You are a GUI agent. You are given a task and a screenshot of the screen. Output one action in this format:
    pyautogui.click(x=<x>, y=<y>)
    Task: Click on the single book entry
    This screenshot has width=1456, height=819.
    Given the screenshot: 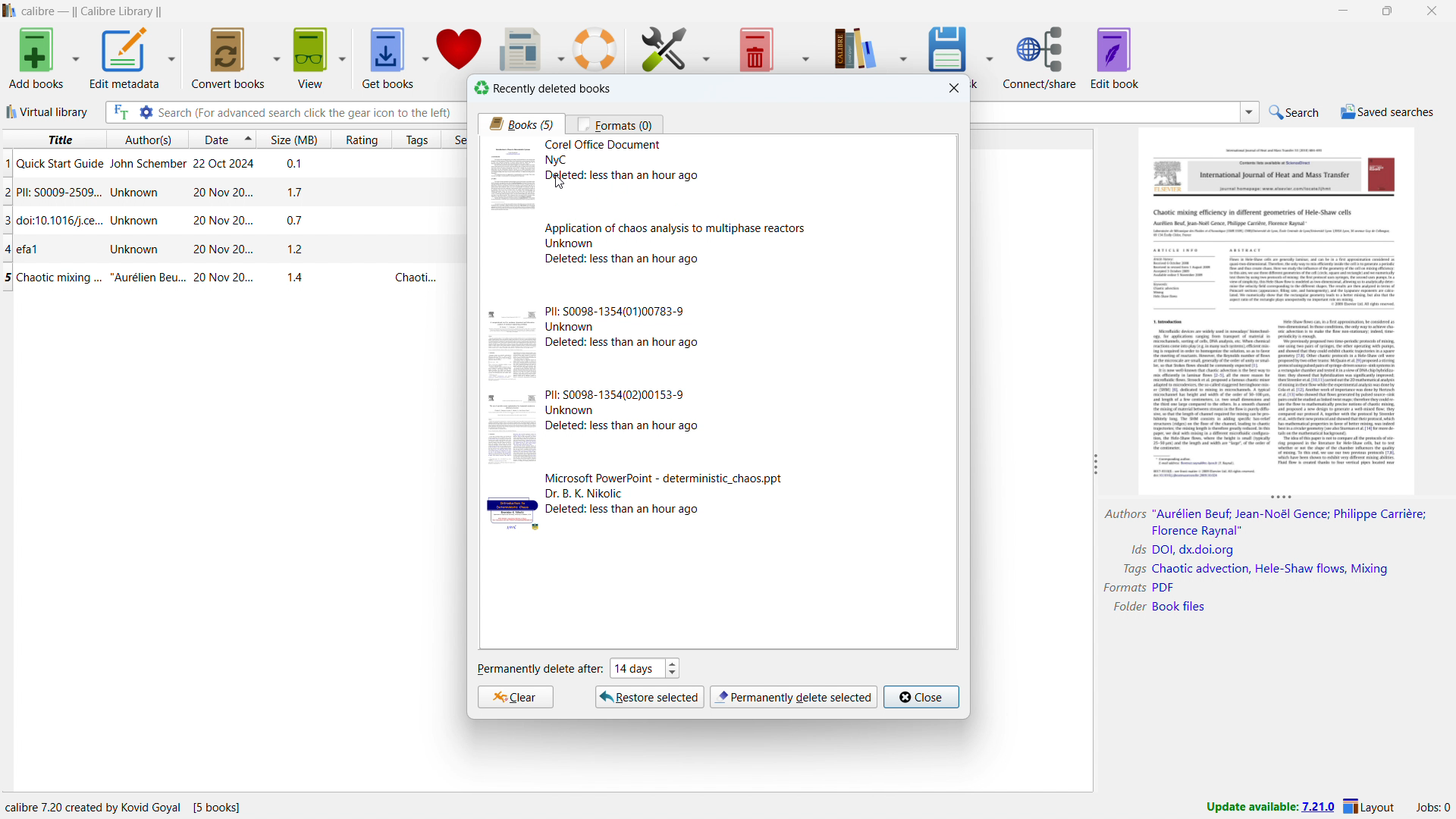 What is the action you would take?
    pyautogui.click(x=227, y=193)
    